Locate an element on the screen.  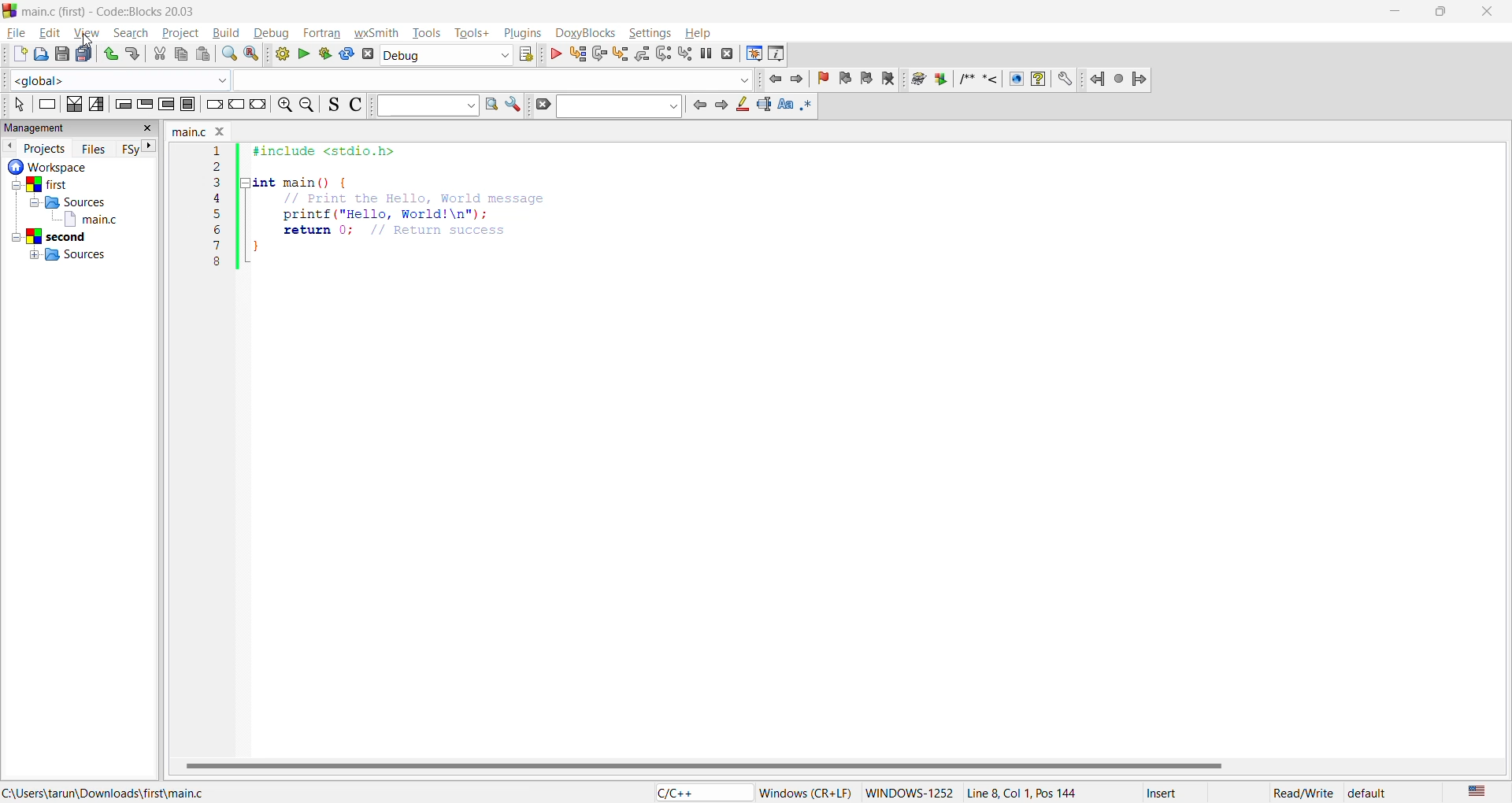
close is located at coordinates (148, 128).